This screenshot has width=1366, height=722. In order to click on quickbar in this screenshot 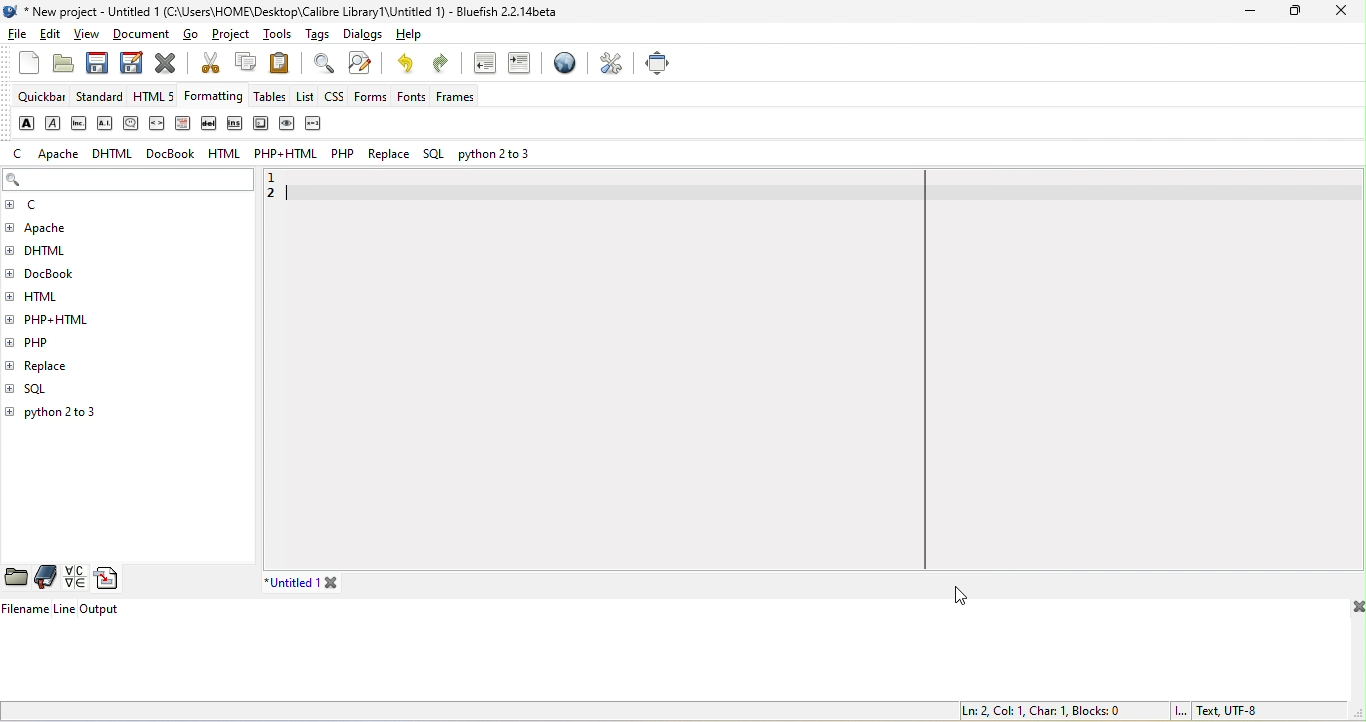, I will do `click(41, 98)`.